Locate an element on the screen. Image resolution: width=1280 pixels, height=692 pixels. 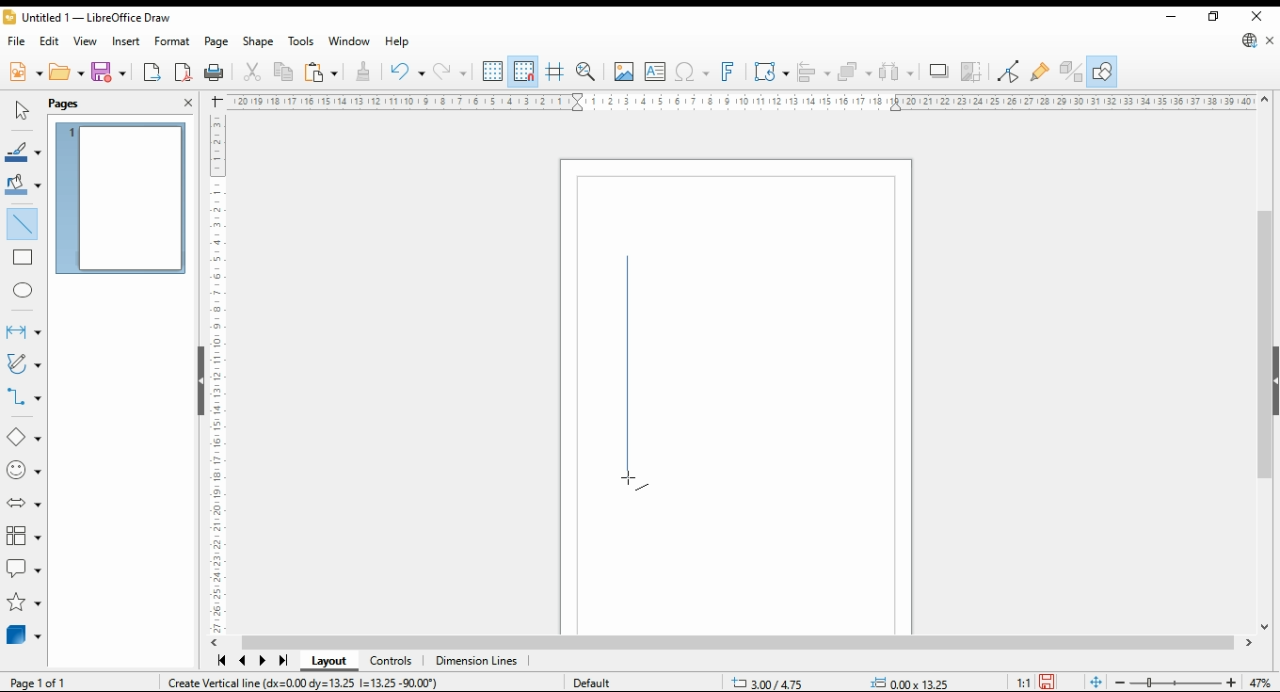
align objects is located at coordinates (814, 71).